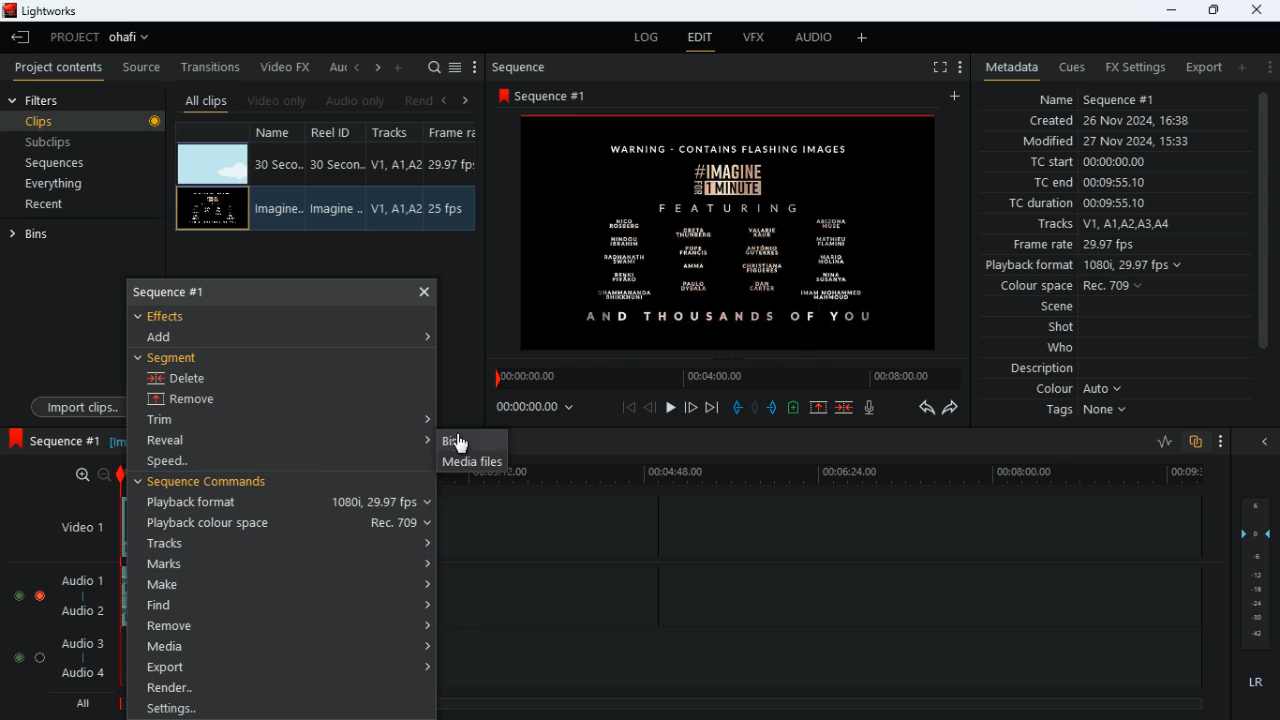  What do you see at coordinates (448, 209) in the screenshot?
I see `Frame Rate` at bounding box center [448, 209].